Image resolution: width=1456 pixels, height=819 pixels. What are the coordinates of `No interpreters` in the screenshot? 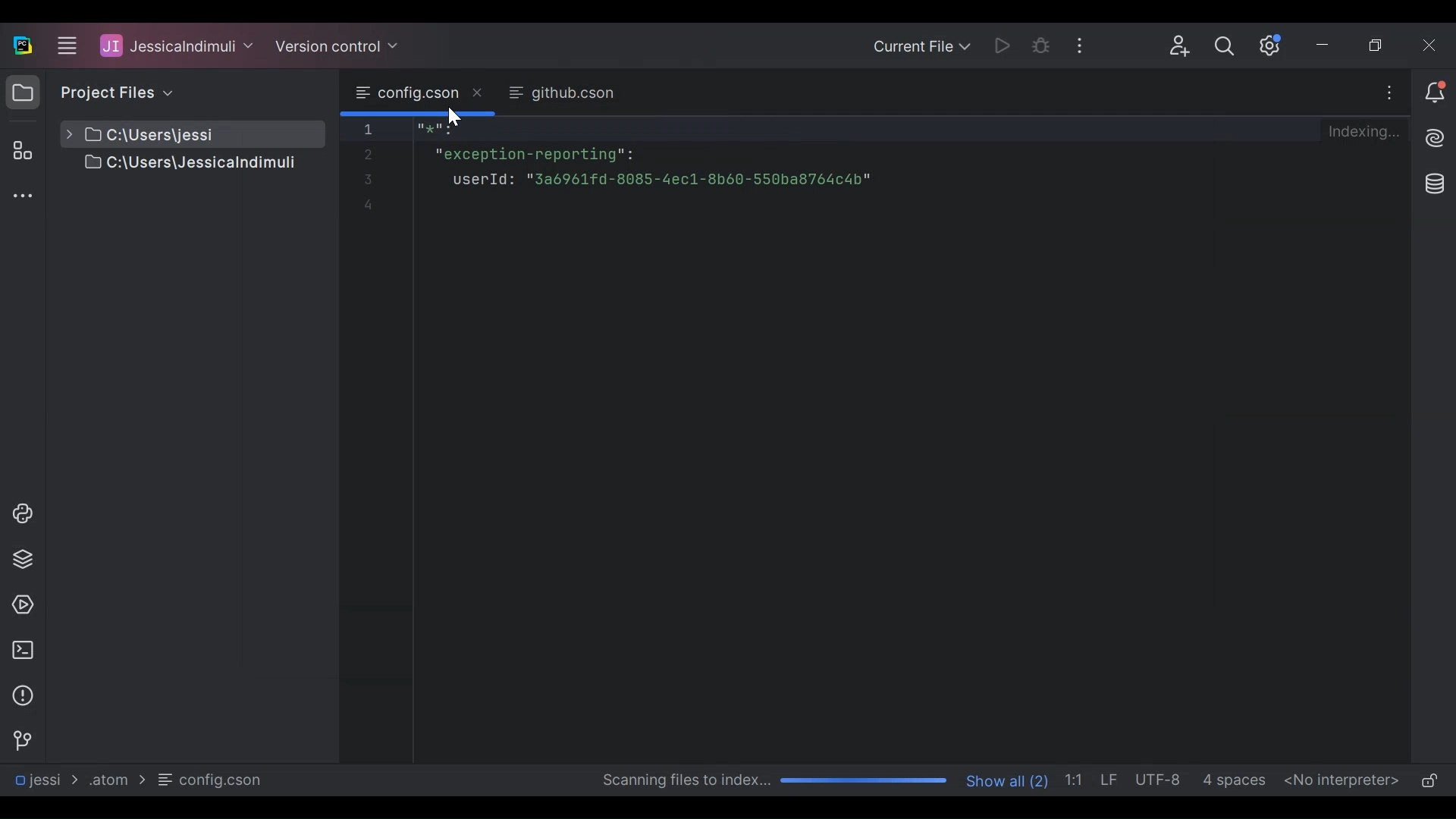 It's located at (1342, 780).